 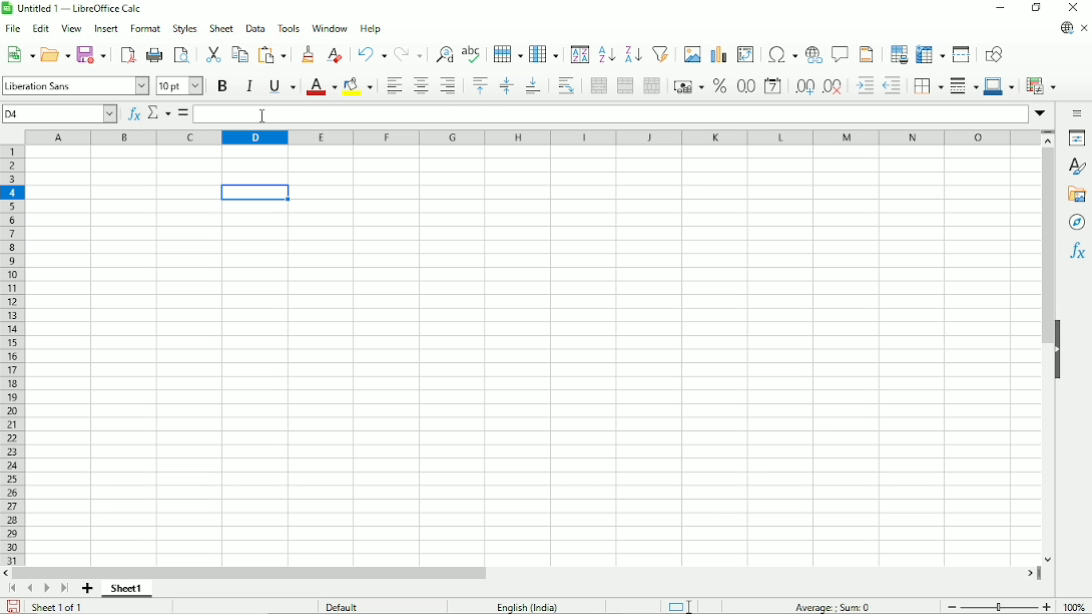 I want to click on Standard selection, so click(x=681, y=605).